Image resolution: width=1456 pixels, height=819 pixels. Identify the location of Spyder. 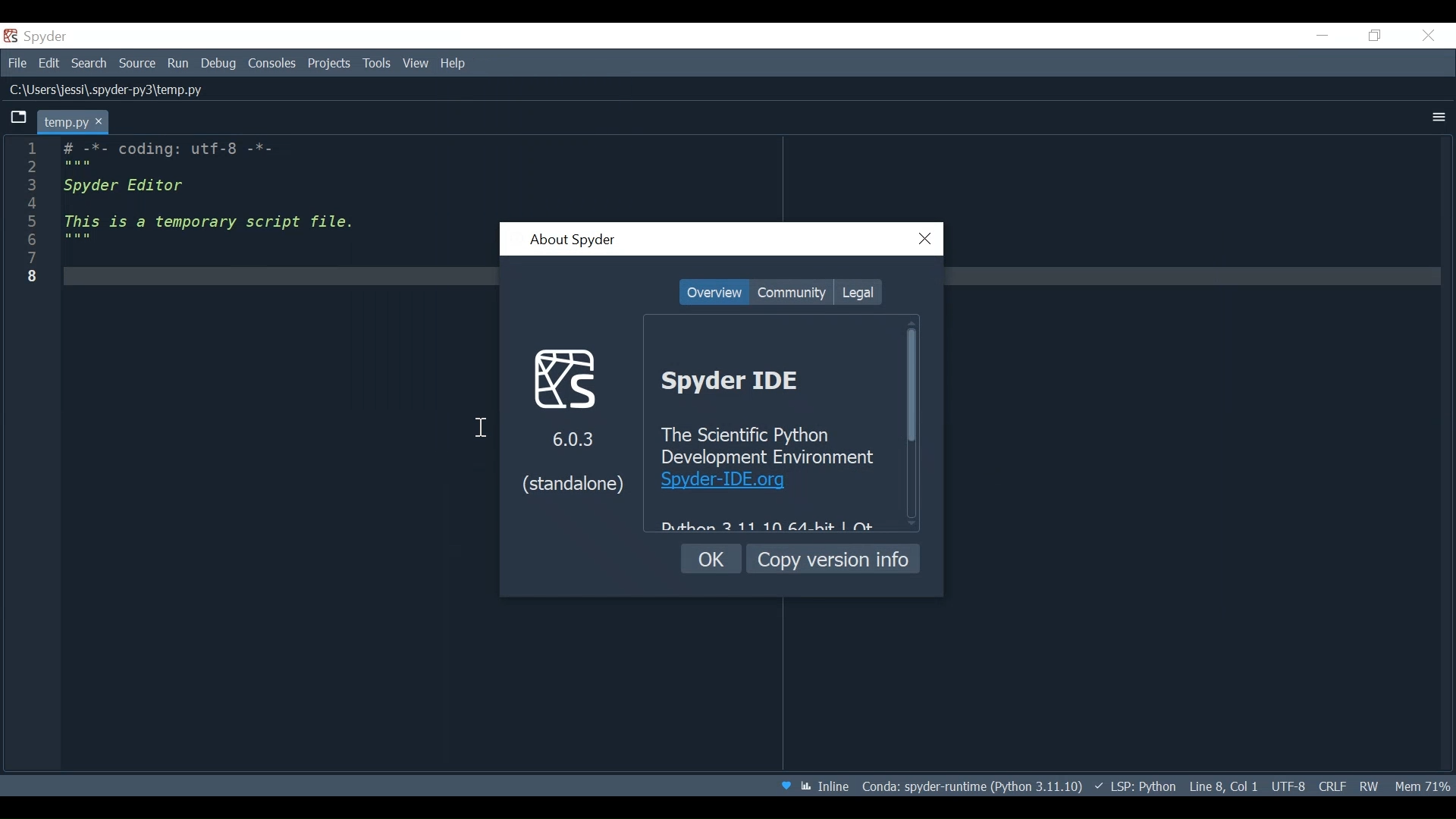
(577, 422).